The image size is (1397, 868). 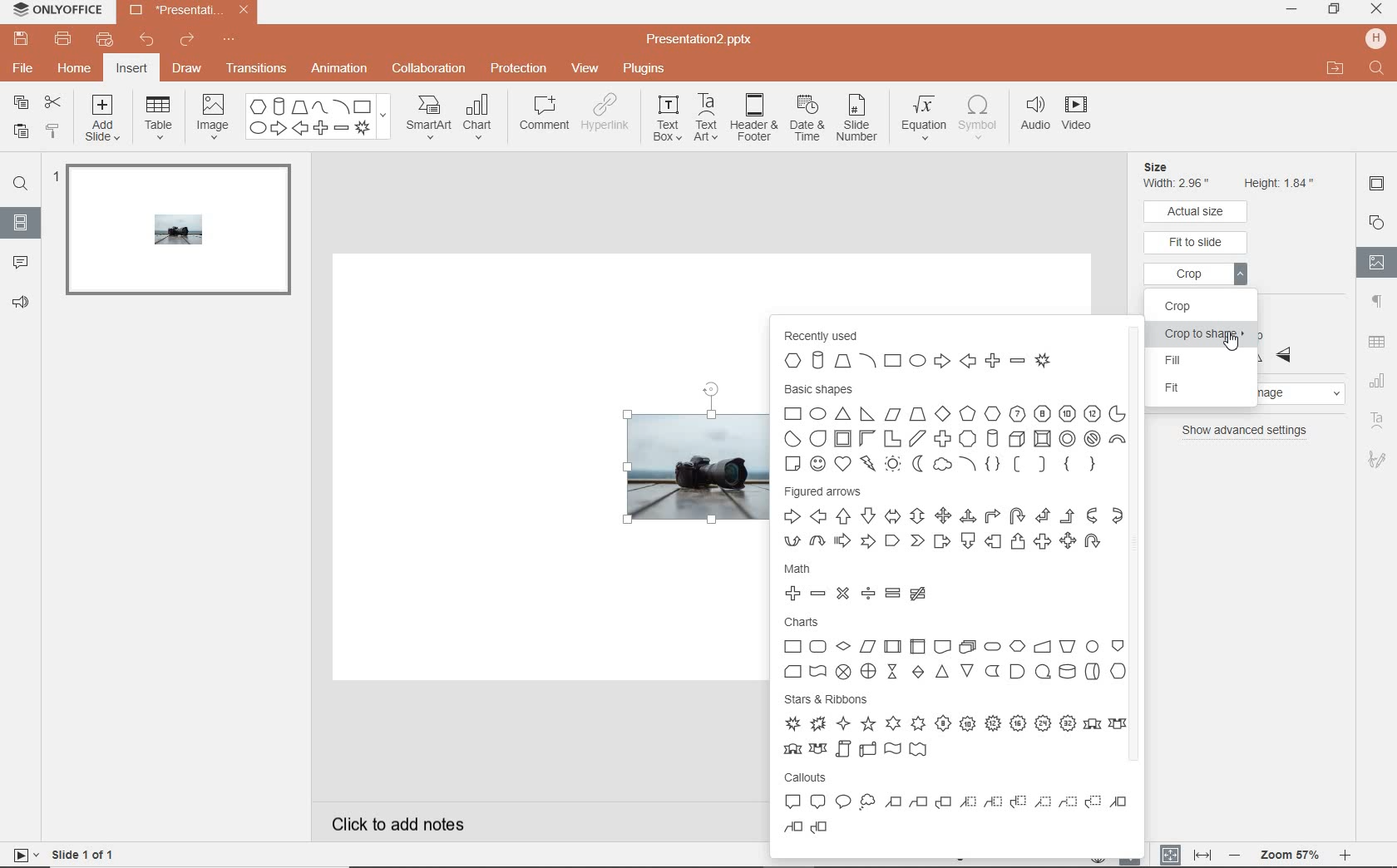 I want to click on view, so click(x=586, y=67).